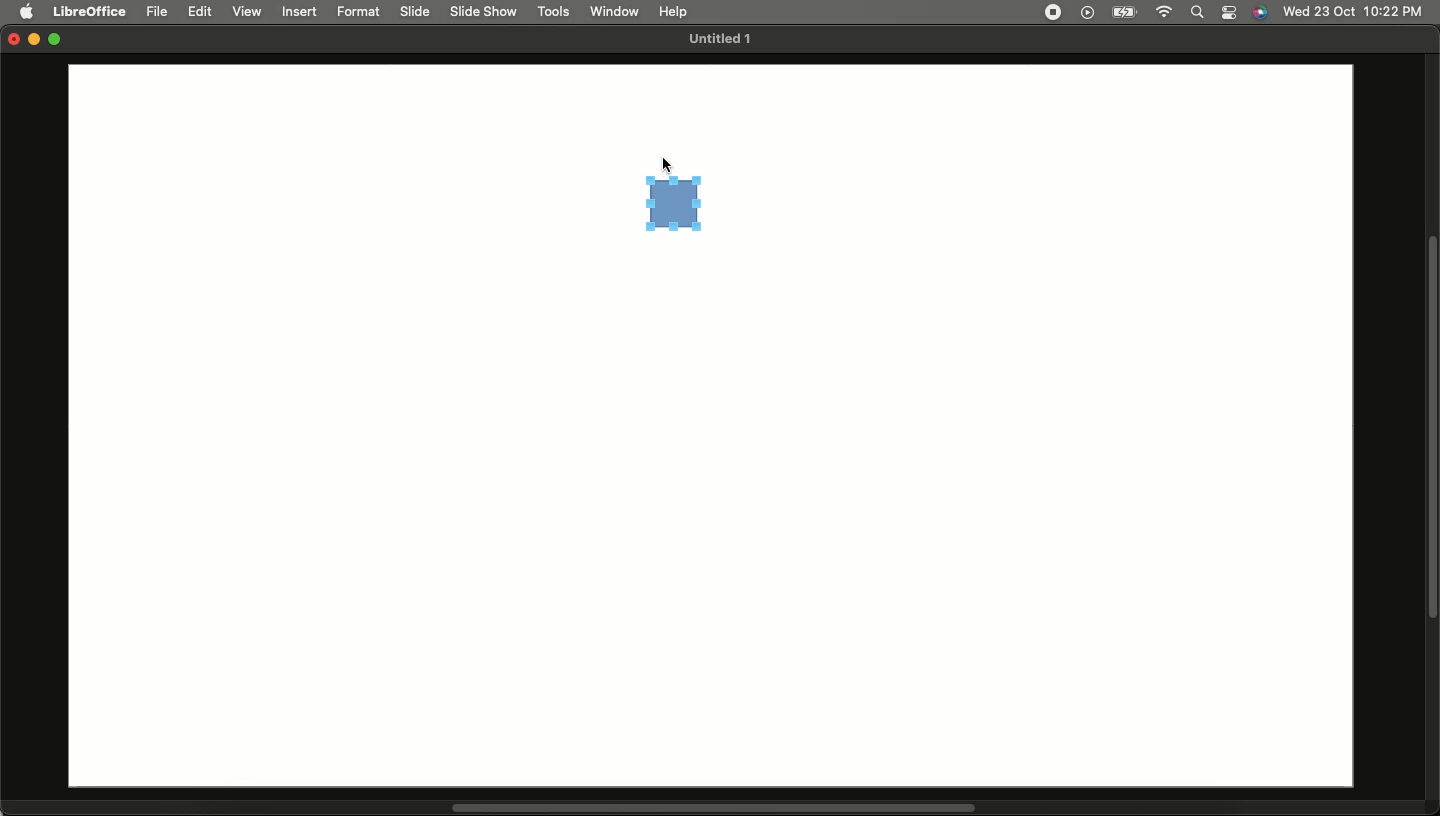 The height and width of the screenshot is (816, 1440). Describe the element at coordinates (1163, 13) in the screenshot. I see `Internet` at that location.